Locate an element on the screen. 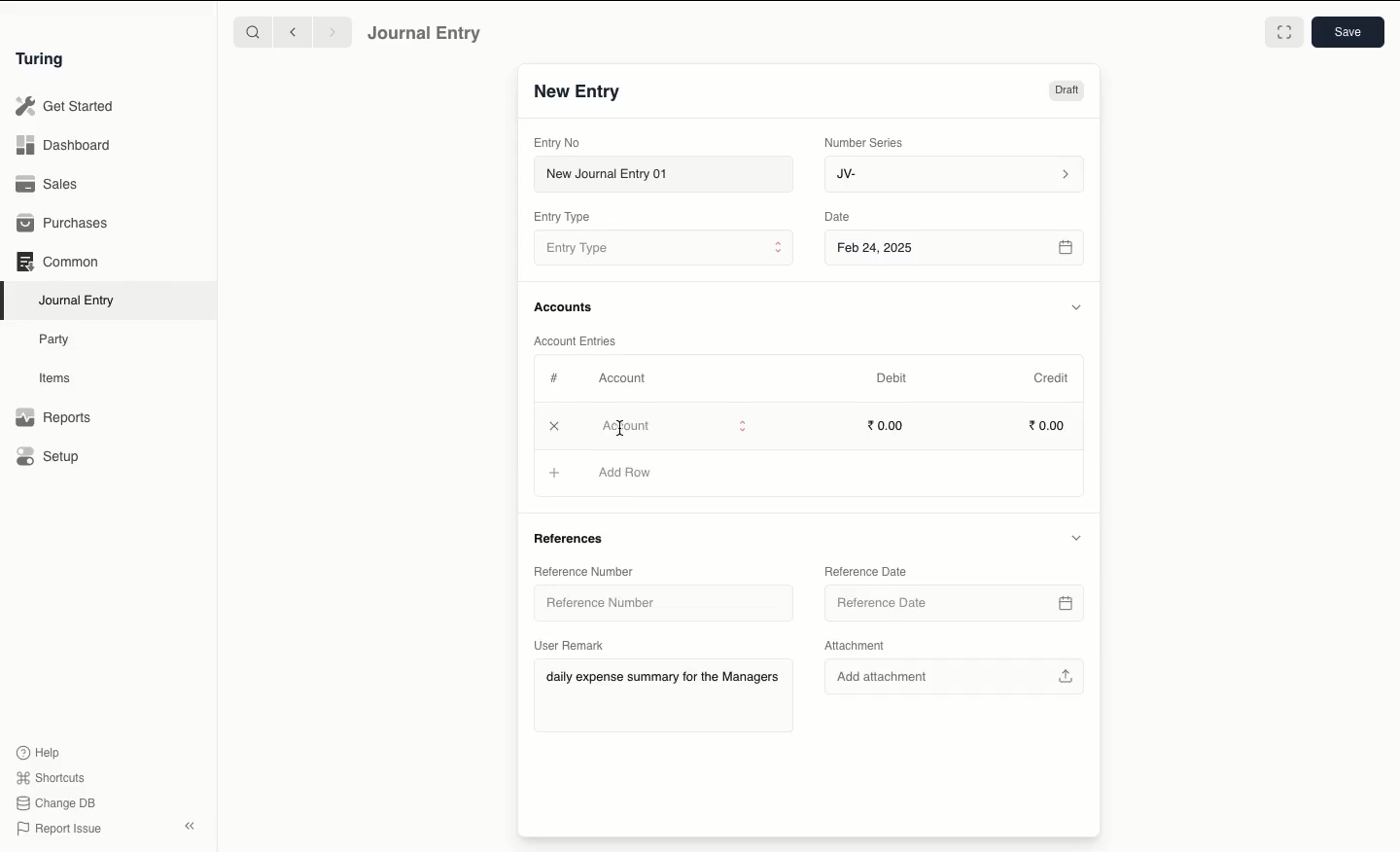  New Journal Entry 01 is located at coordinates (662, 173).